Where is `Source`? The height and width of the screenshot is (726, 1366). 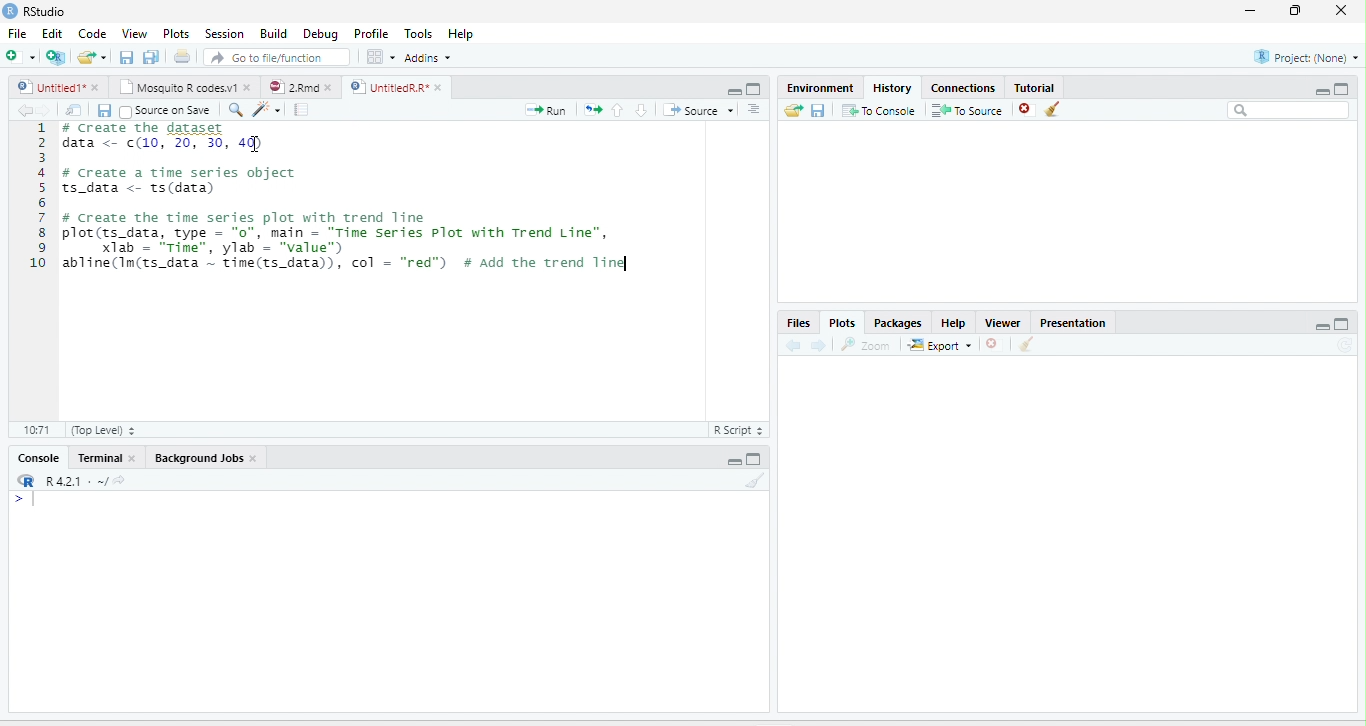
Source is located at coordinates (698, 110).